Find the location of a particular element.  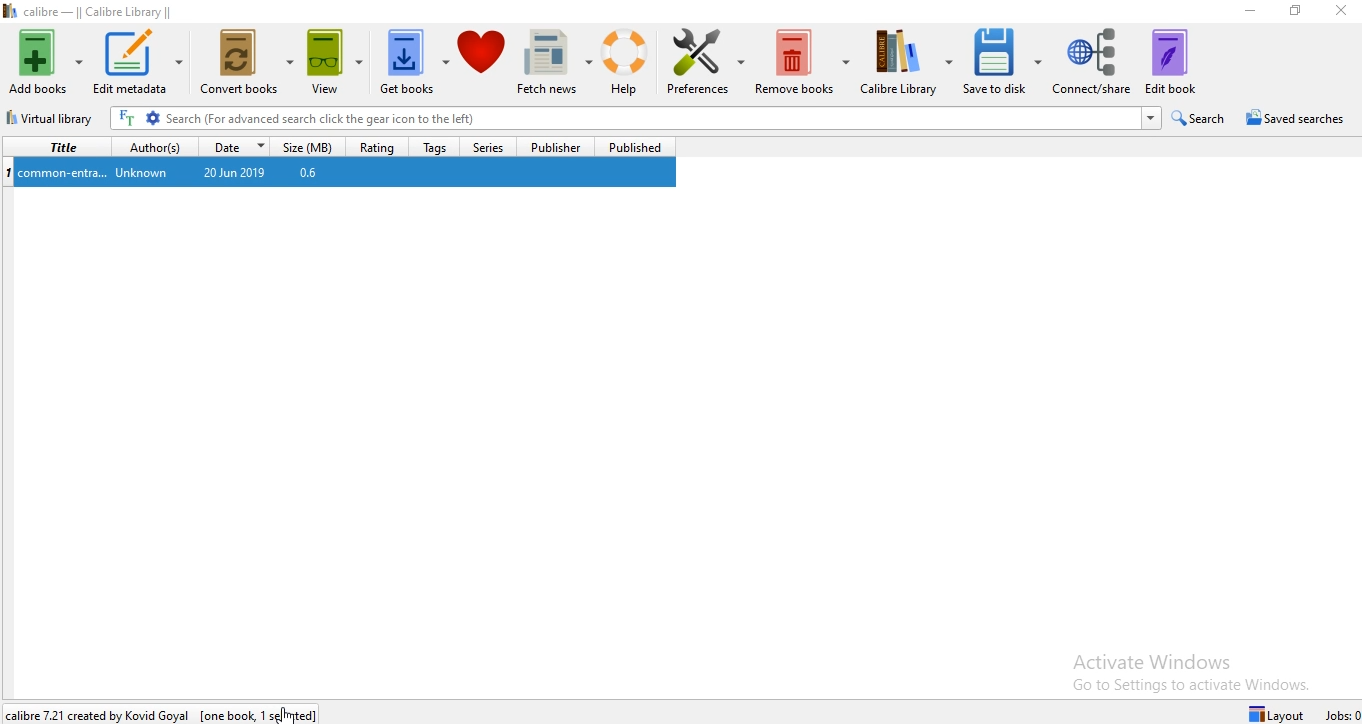

Logo is located at coordinates (9, 13).